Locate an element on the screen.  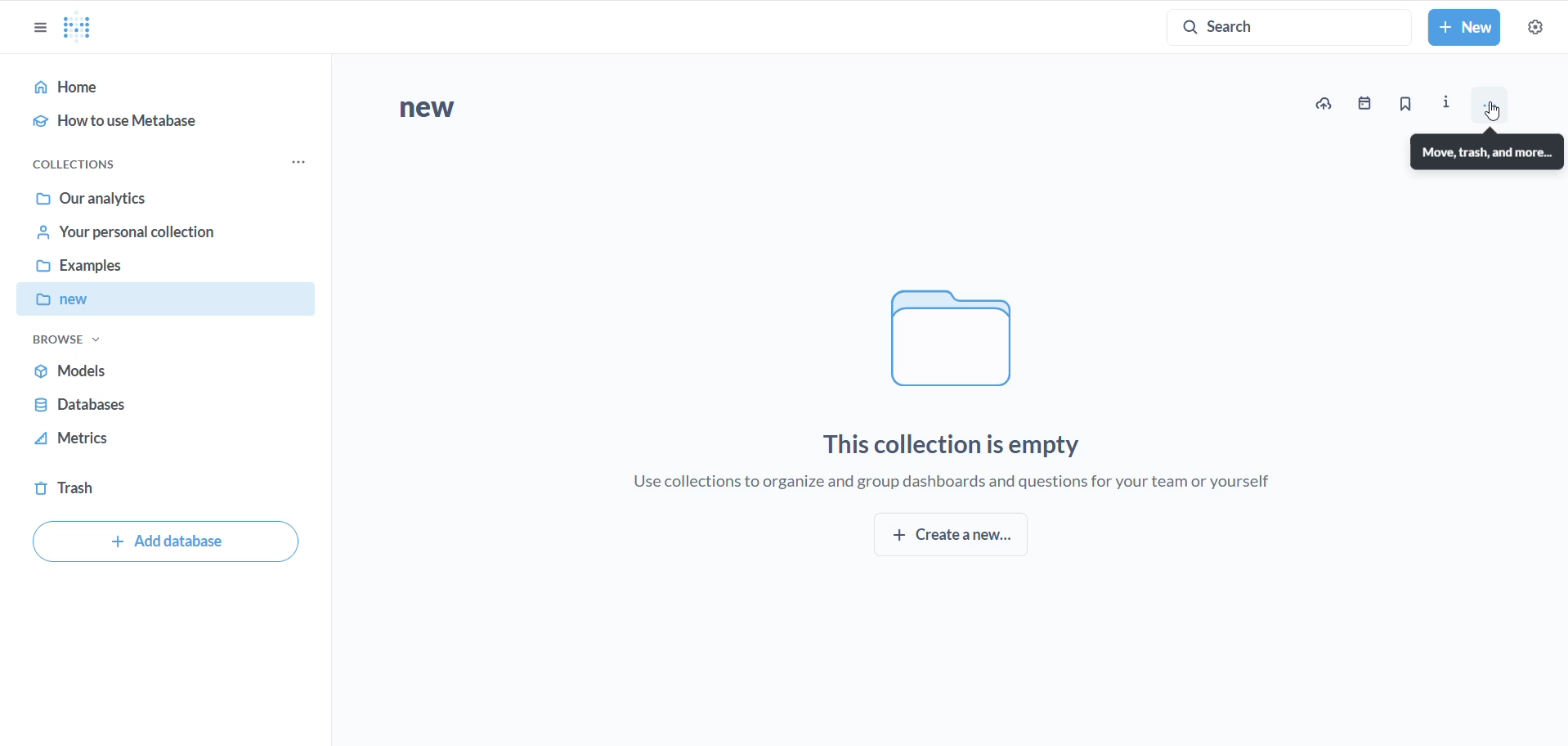
browse is located at coordinates (68, 344).